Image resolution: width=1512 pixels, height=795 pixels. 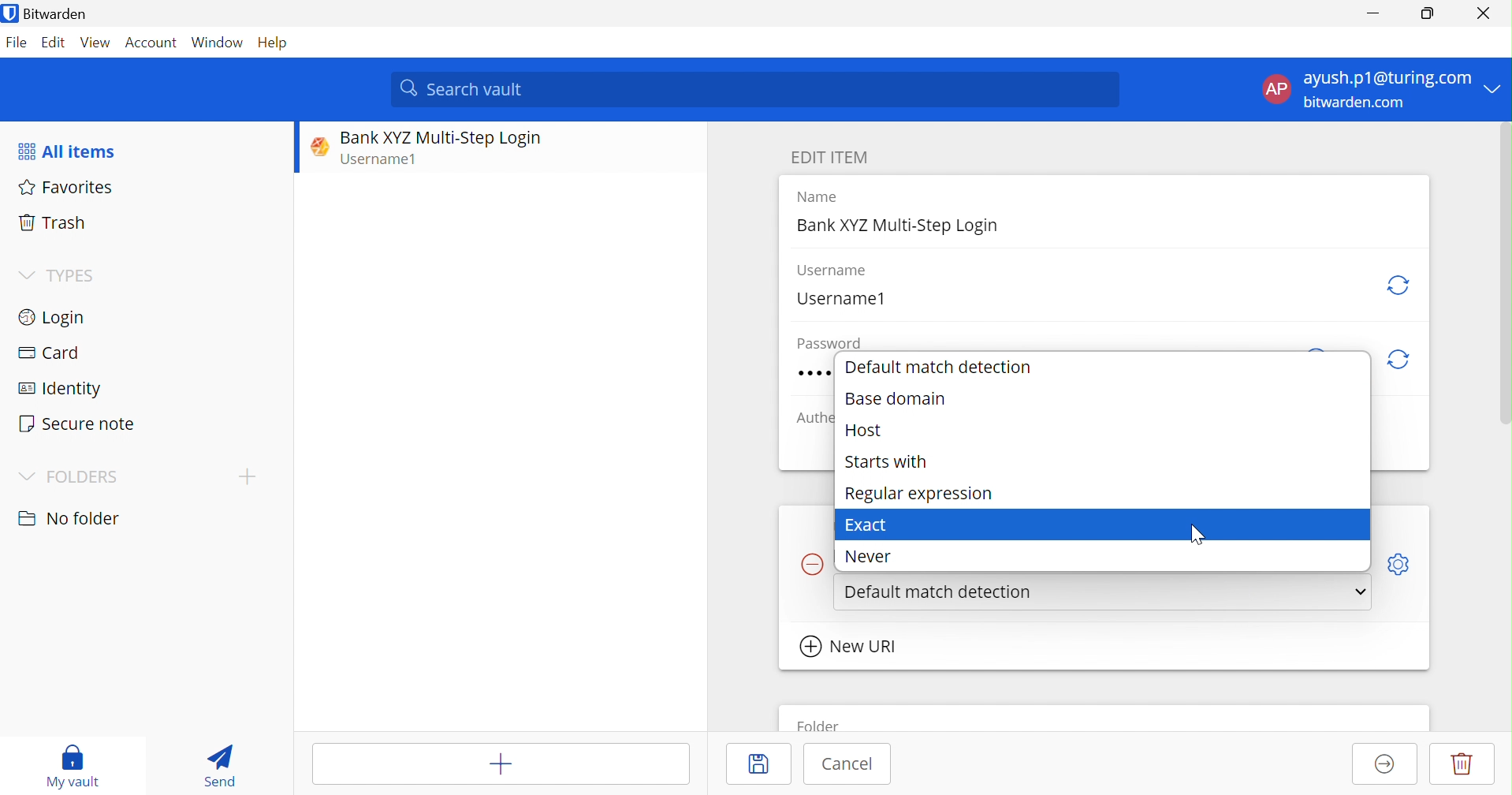 What do you see at coordinates (73, 519) in the screenshot?
I see `No folder` at bounding box center [73, 519].